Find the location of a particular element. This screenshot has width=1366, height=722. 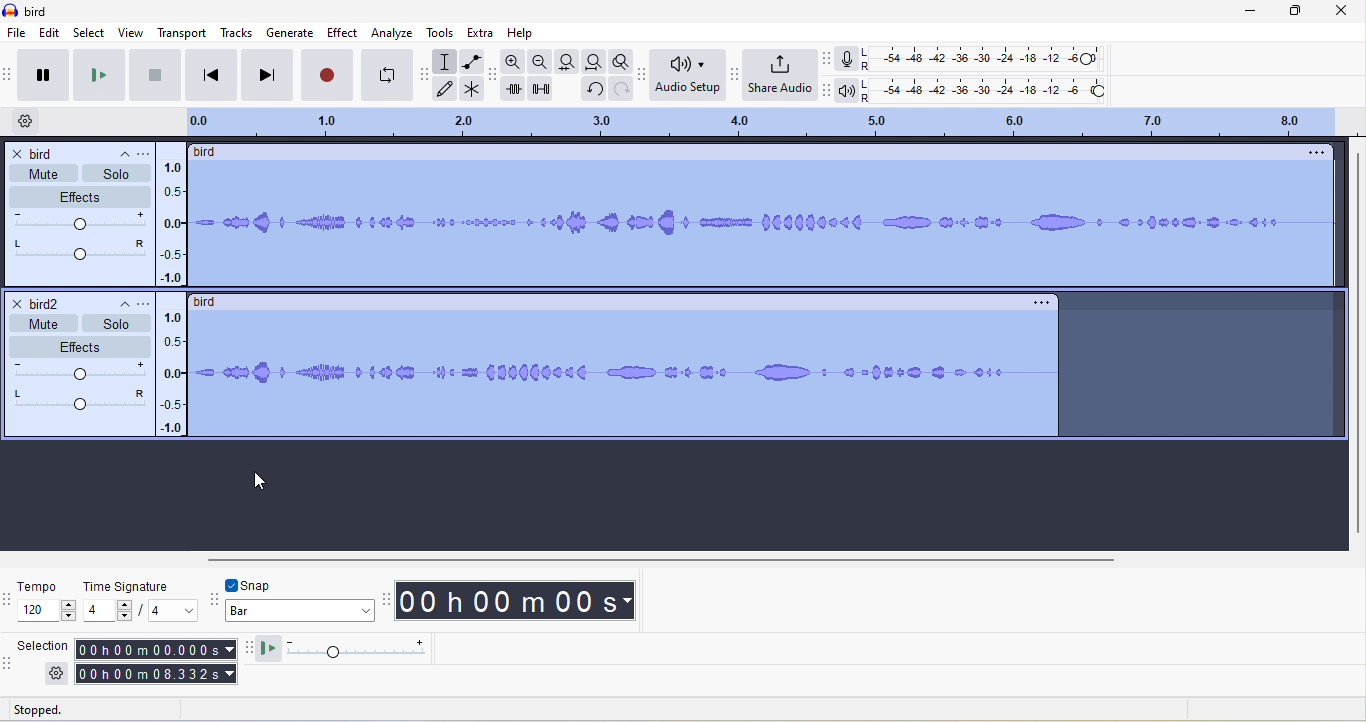

stopped is located at coordinates (54, 710).